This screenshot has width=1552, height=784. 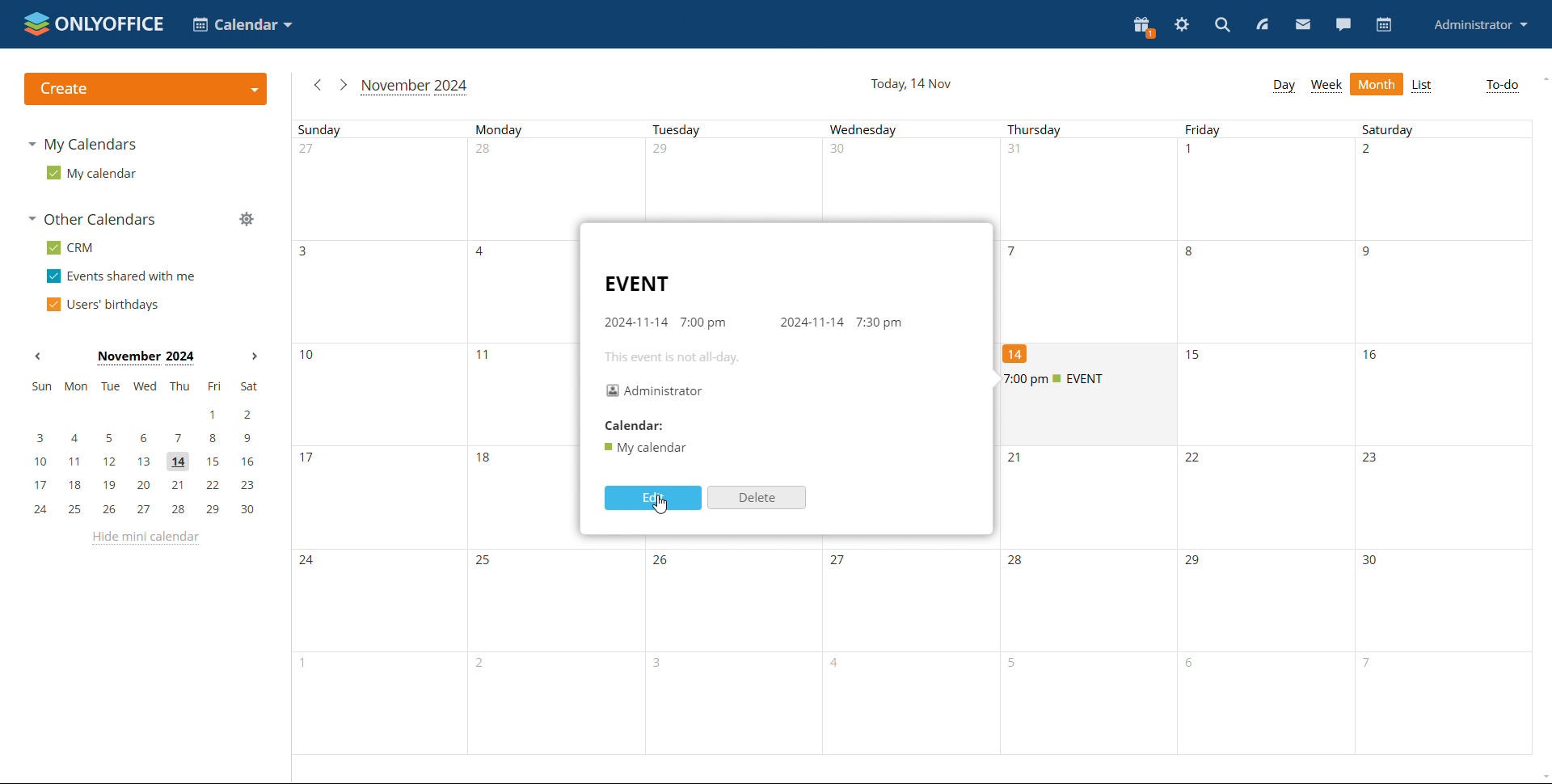 What do you see at coordinates (342, 85) in the screenshot?
I see `next month` at bounding box center [342, 85].